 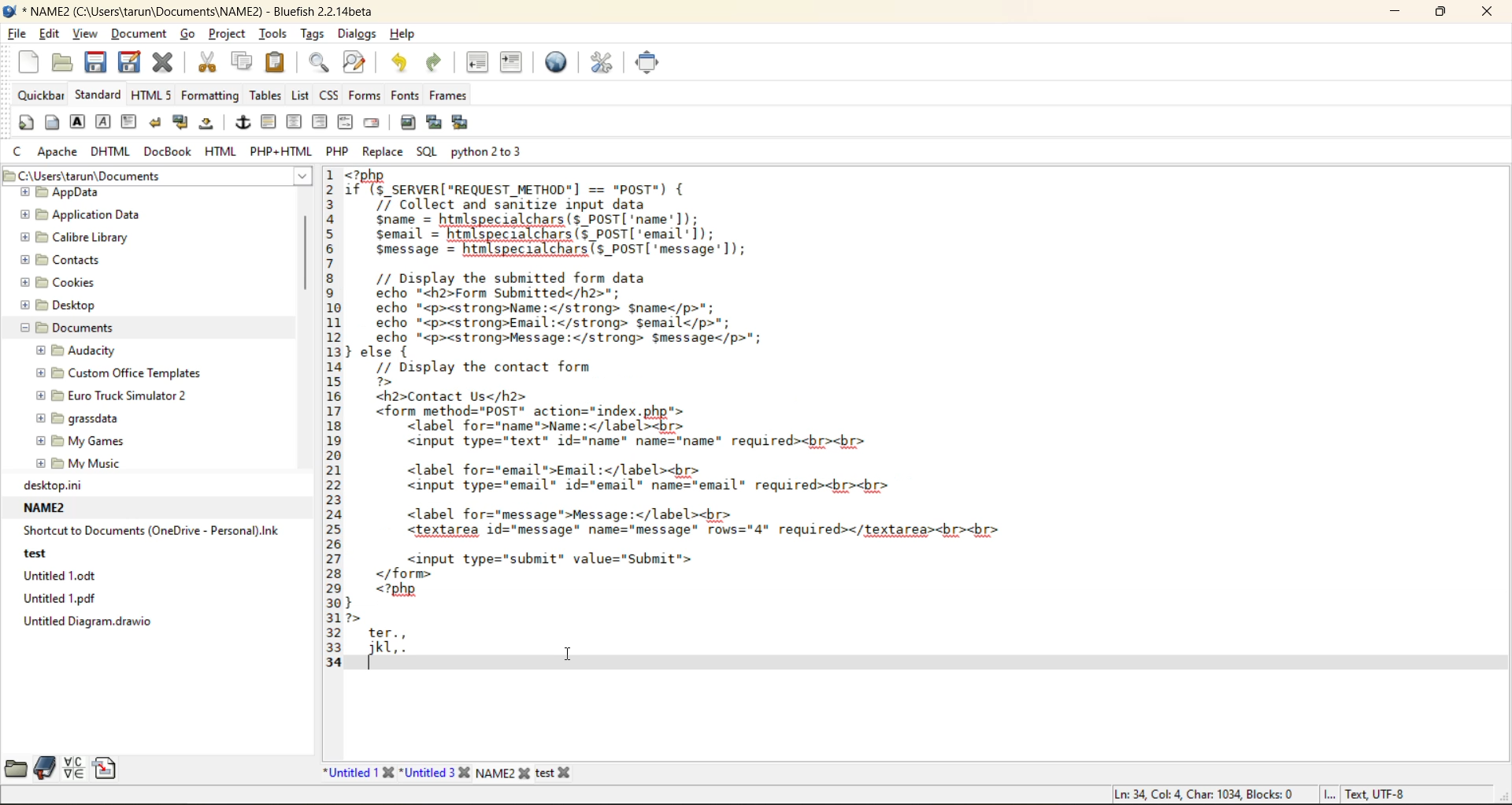 I want to click on non breaking space, so click(x=211, y=126).